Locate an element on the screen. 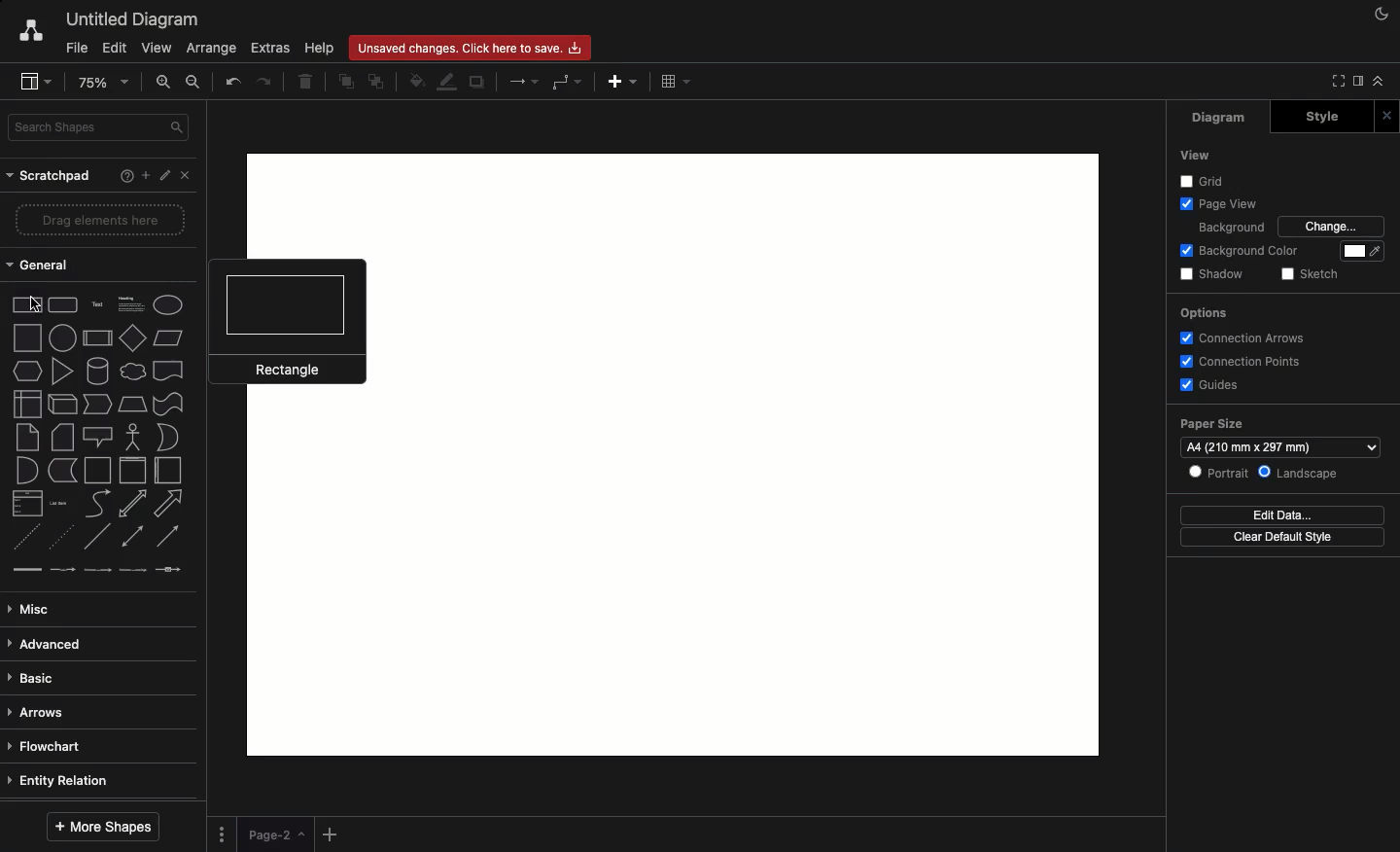 This screenshot has height=852, width=1400. Close is located at coordinates (184, 178).